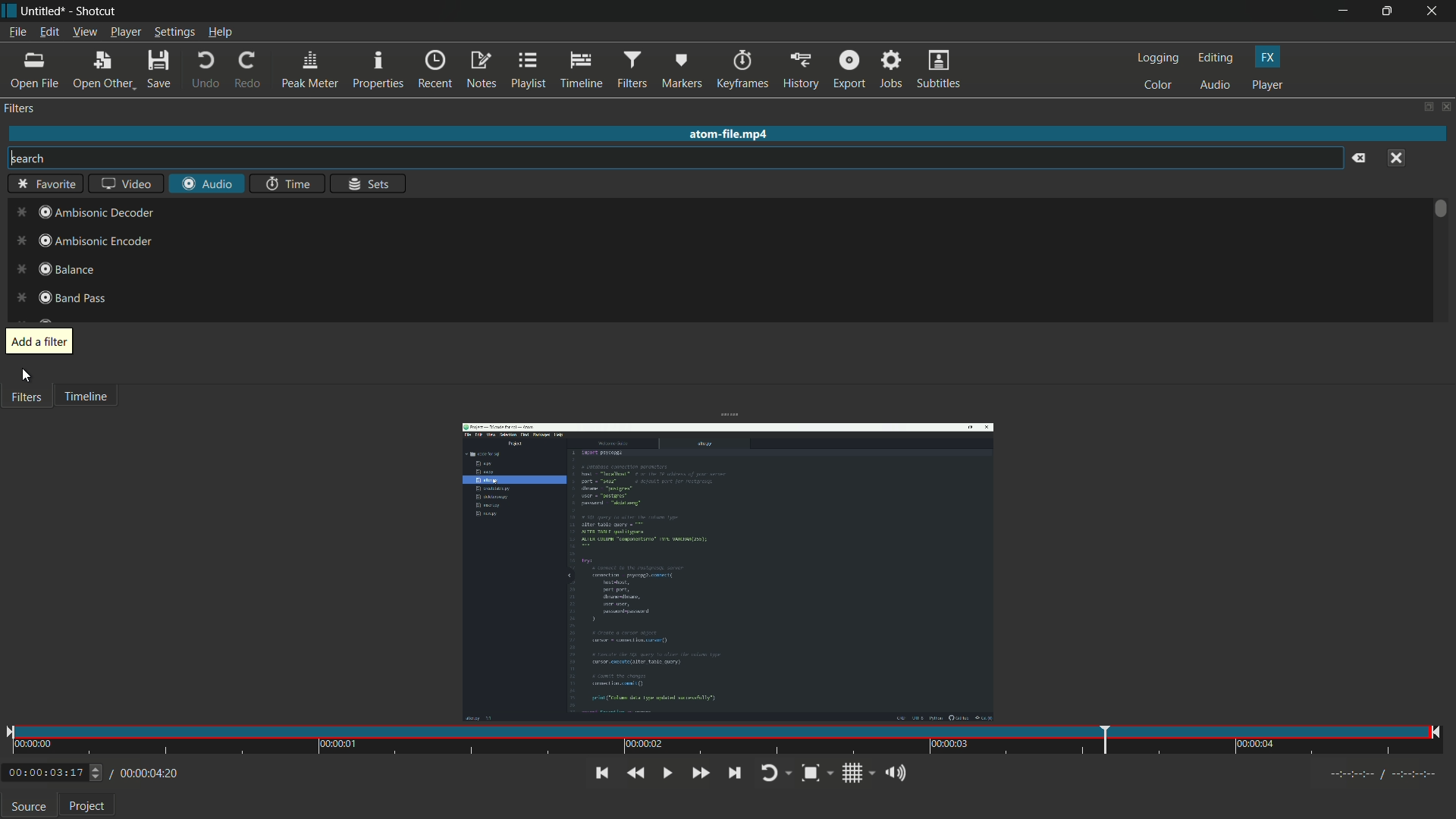 This screenshot has height=819, width=1456. What do you see at coordinates (1357, 158) in the screenshot?
I see `clear search` at bounding box center [1357, 158].